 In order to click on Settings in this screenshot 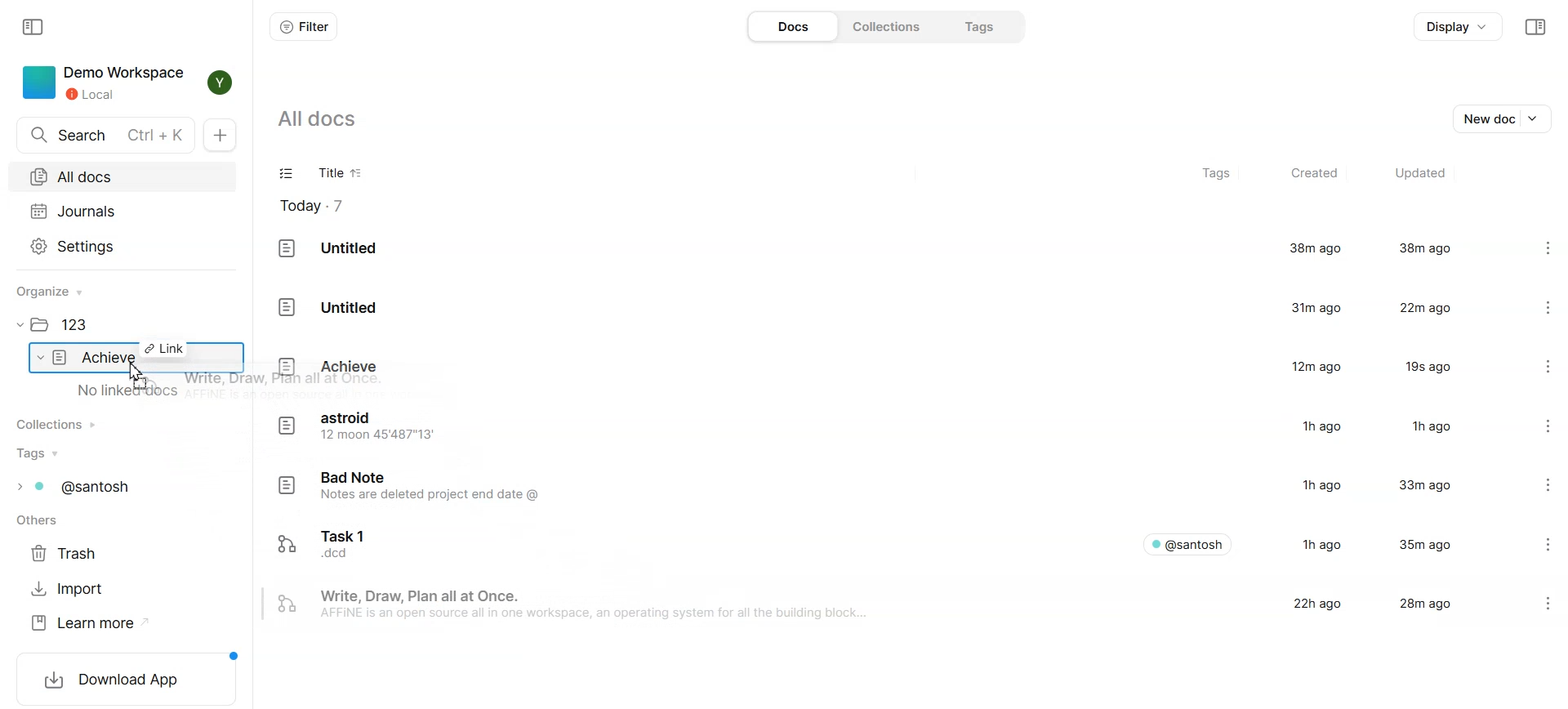, I will do `click(1532, 249)`.